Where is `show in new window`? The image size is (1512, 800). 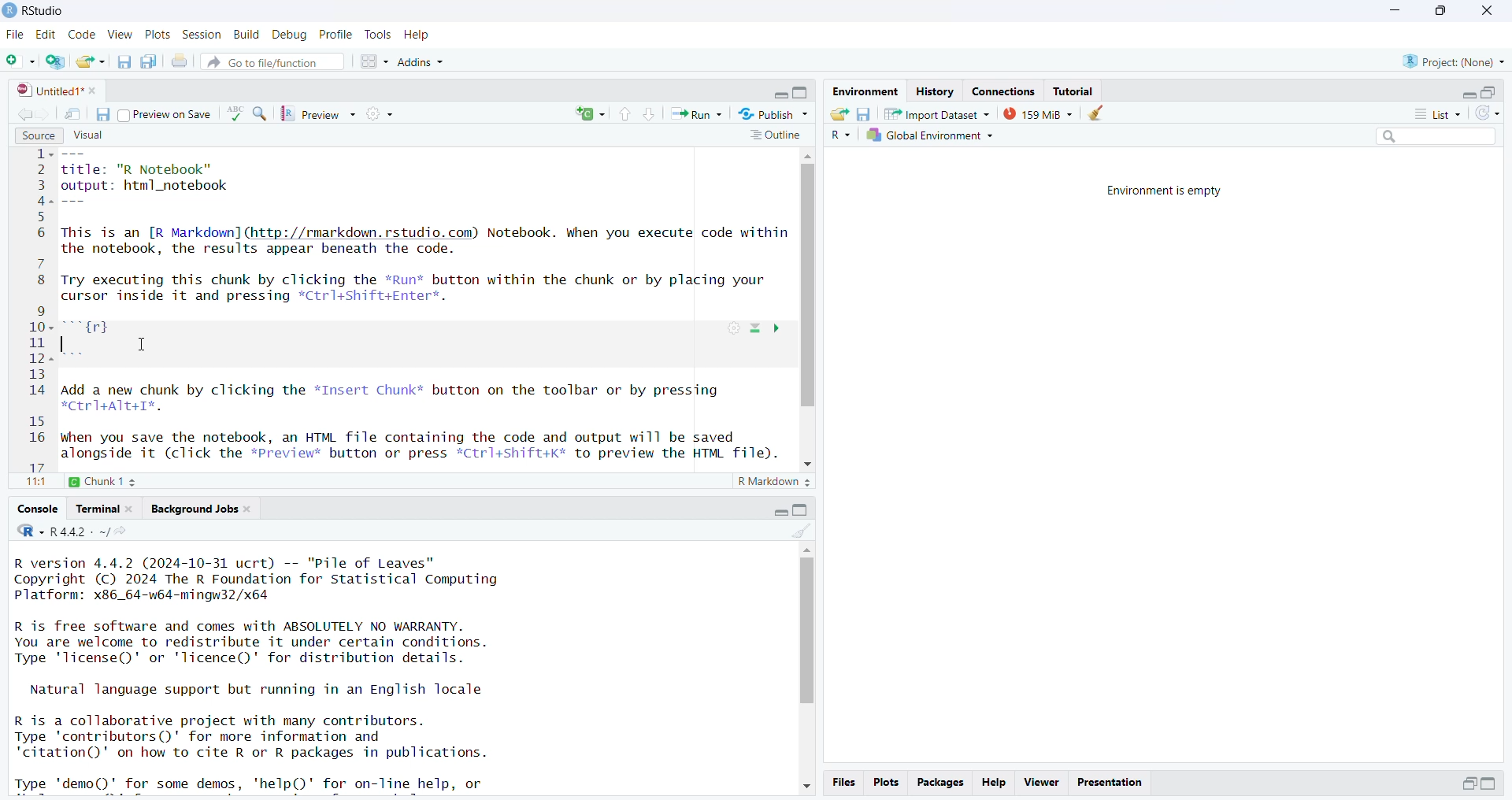 show in new window is located at coordinates (72, 113).